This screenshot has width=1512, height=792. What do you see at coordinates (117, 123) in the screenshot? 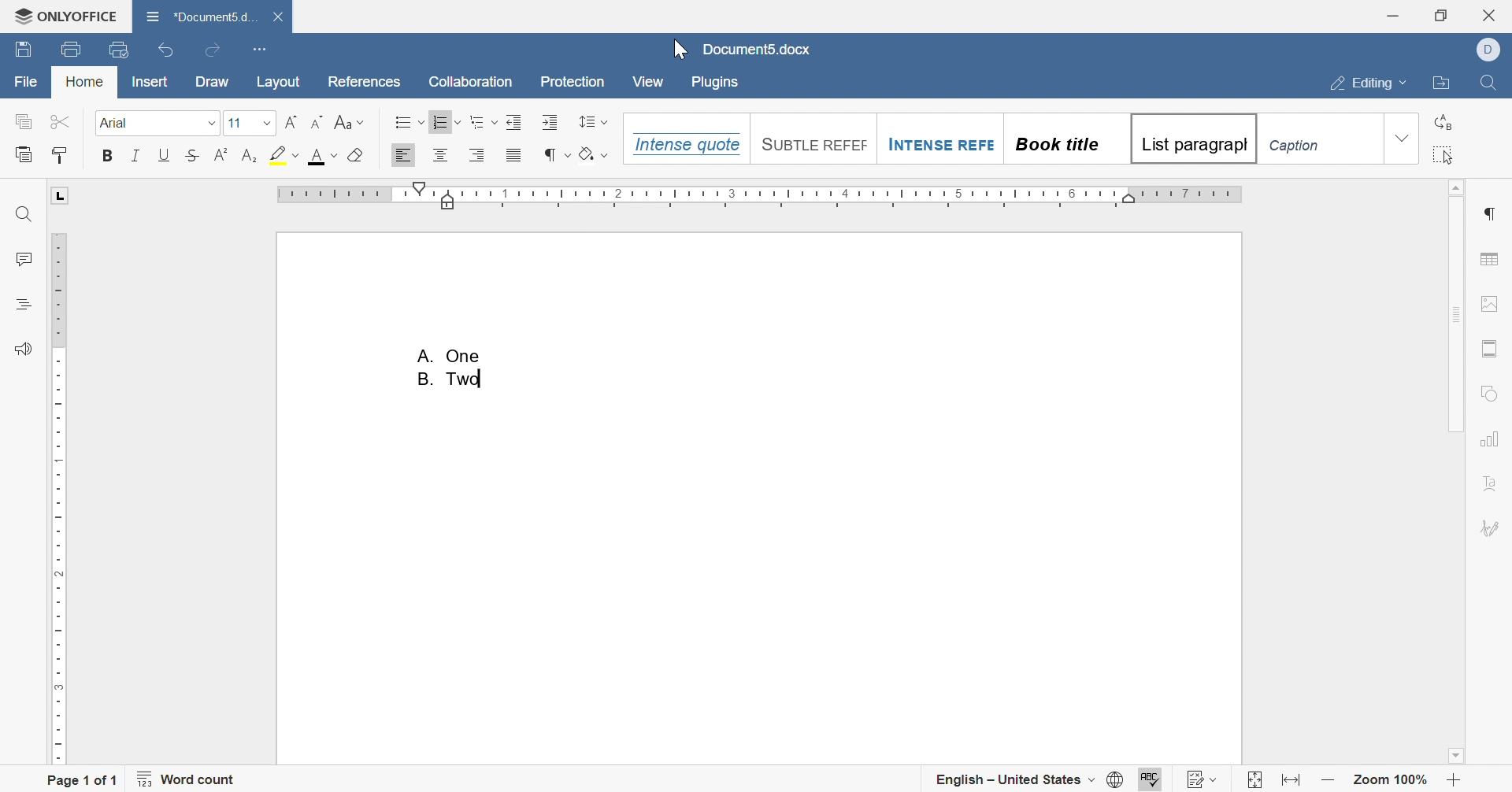
I see `arial` at bounding box center [117, 123].